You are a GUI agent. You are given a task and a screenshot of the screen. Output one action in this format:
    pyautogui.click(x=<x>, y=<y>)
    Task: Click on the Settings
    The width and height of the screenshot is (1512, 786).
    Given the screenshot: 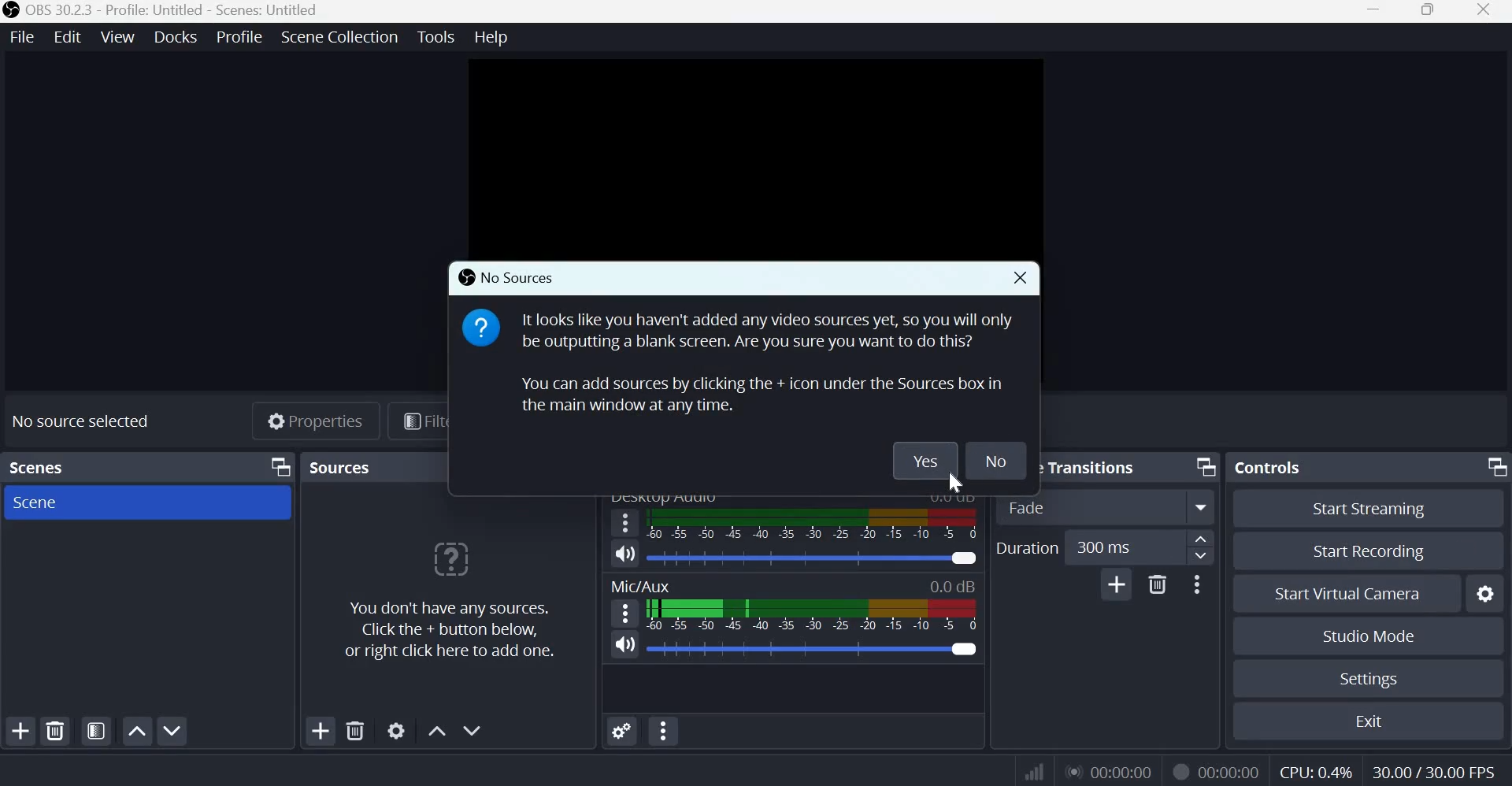 What is the action you would take?
    pyautogui.click(x=1364, y=680)
    